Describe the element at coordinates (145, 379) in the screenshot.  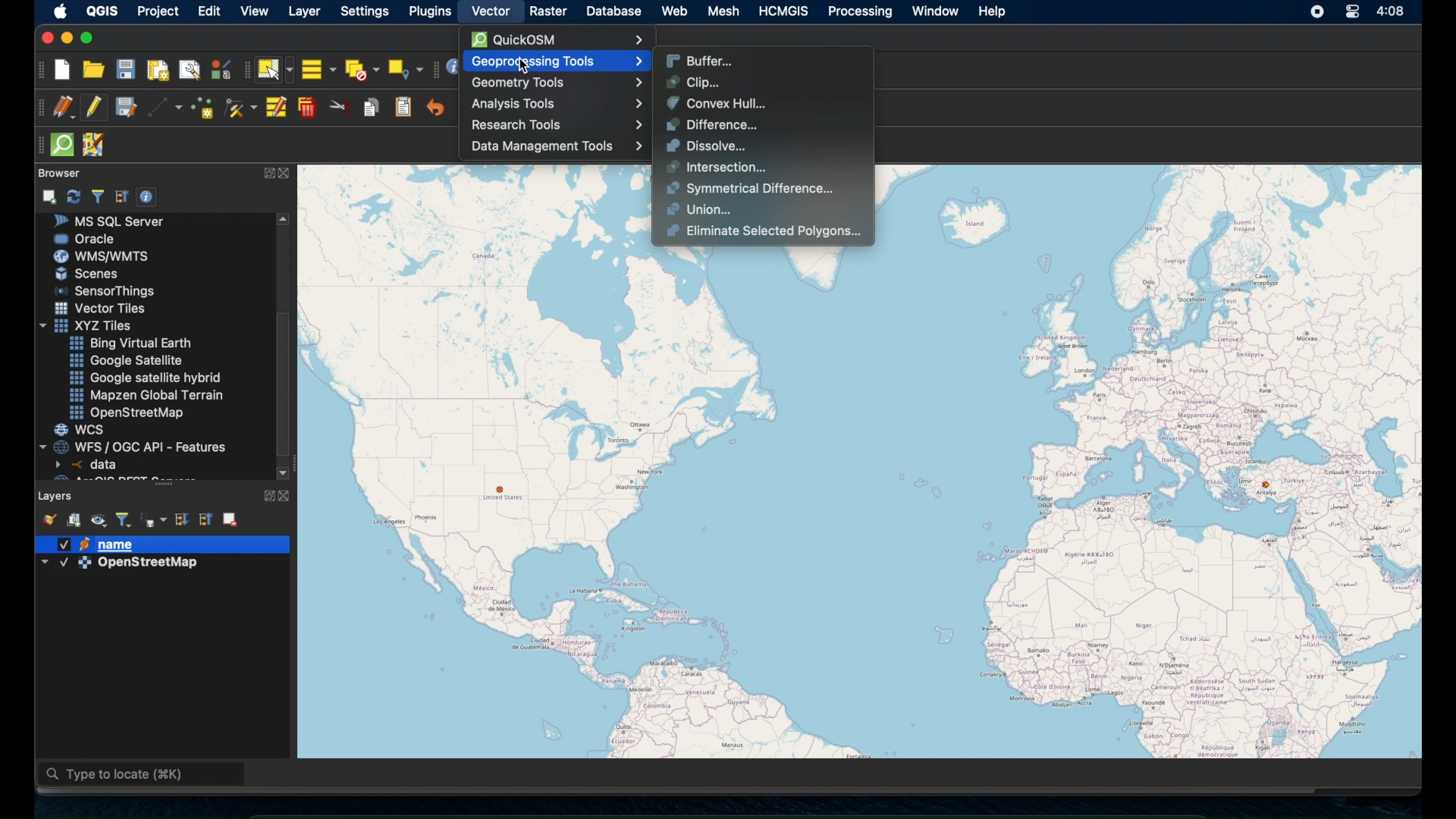
I see `google satellite hybrid` at that location.